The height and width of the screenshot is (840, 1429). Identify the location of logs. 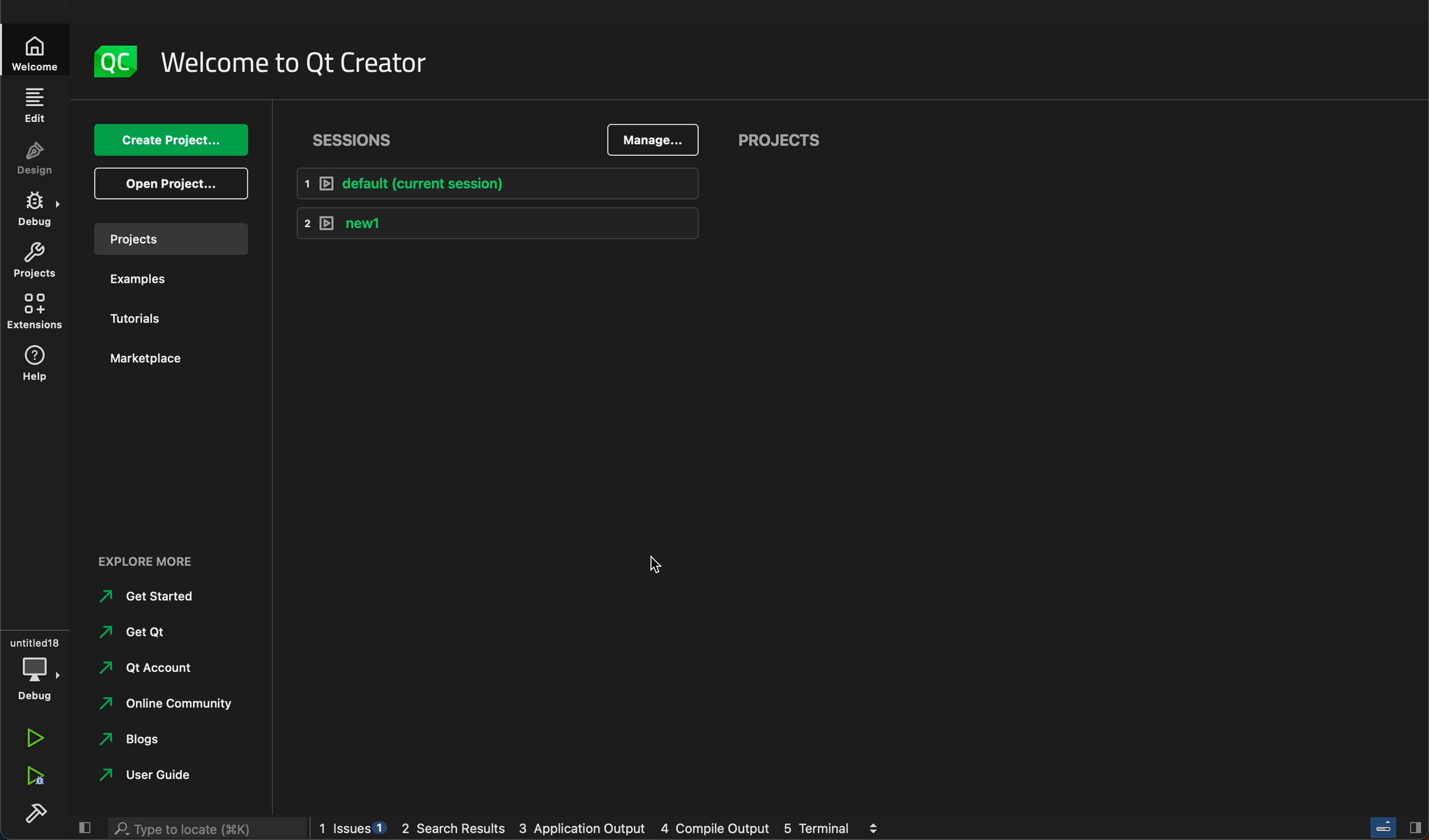
(613, 828).